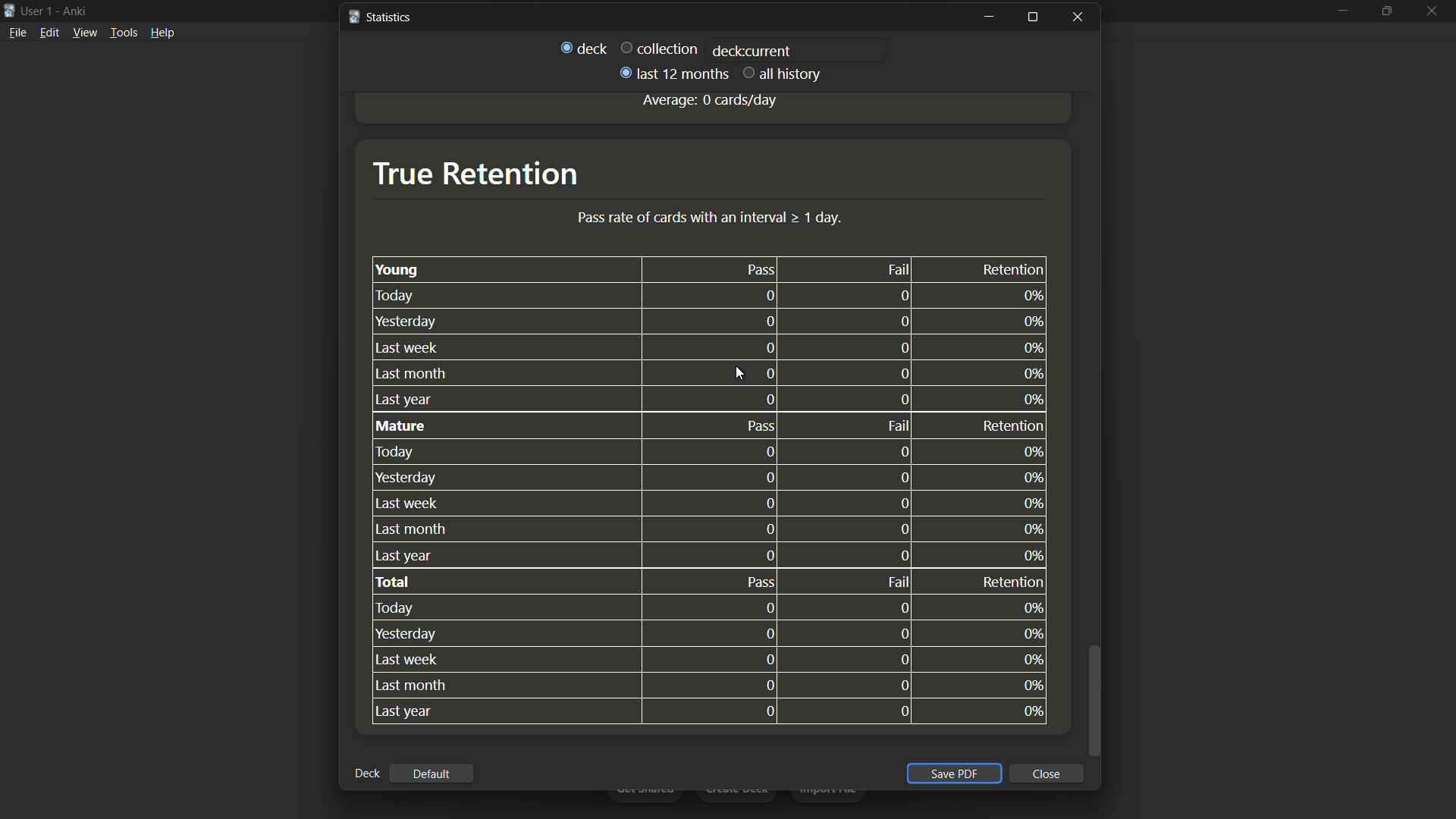 The width and height of the screenshot is (1456, 819). I want to click on all history, so click(783, 75).